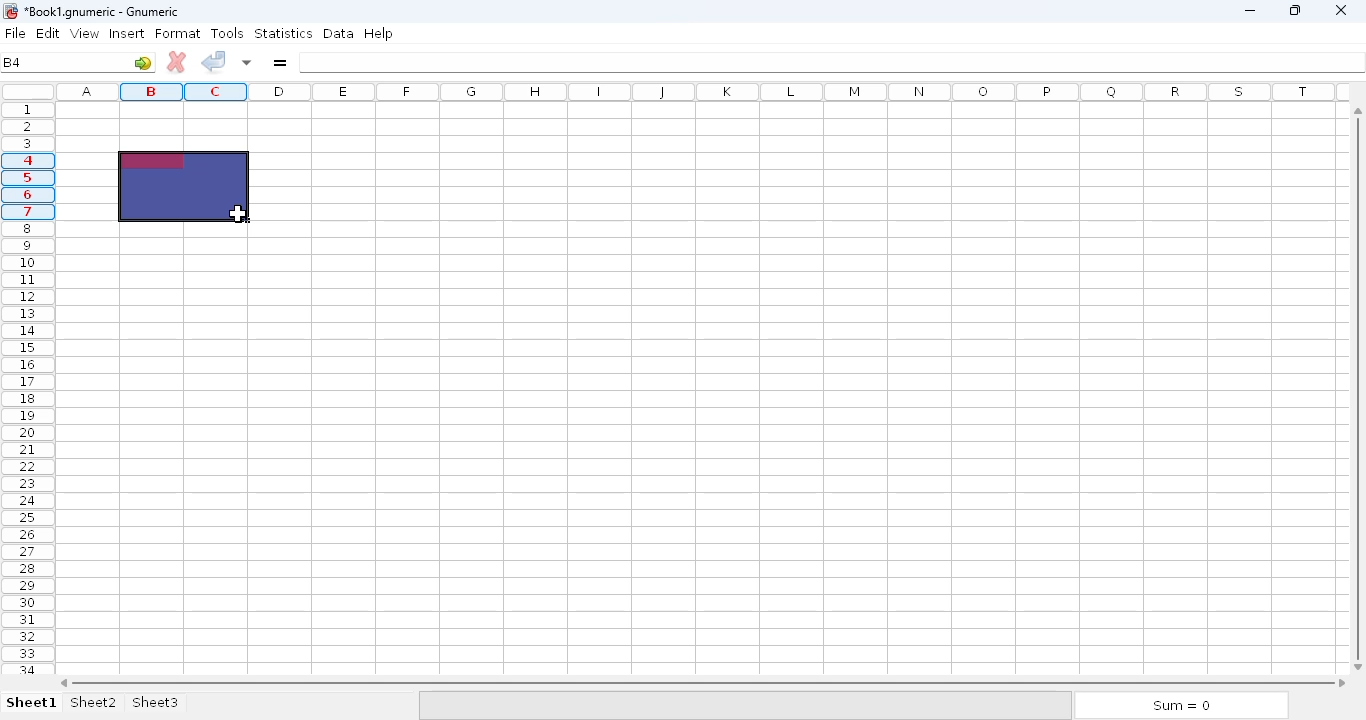  I want to click on tools, so click(226, 33).